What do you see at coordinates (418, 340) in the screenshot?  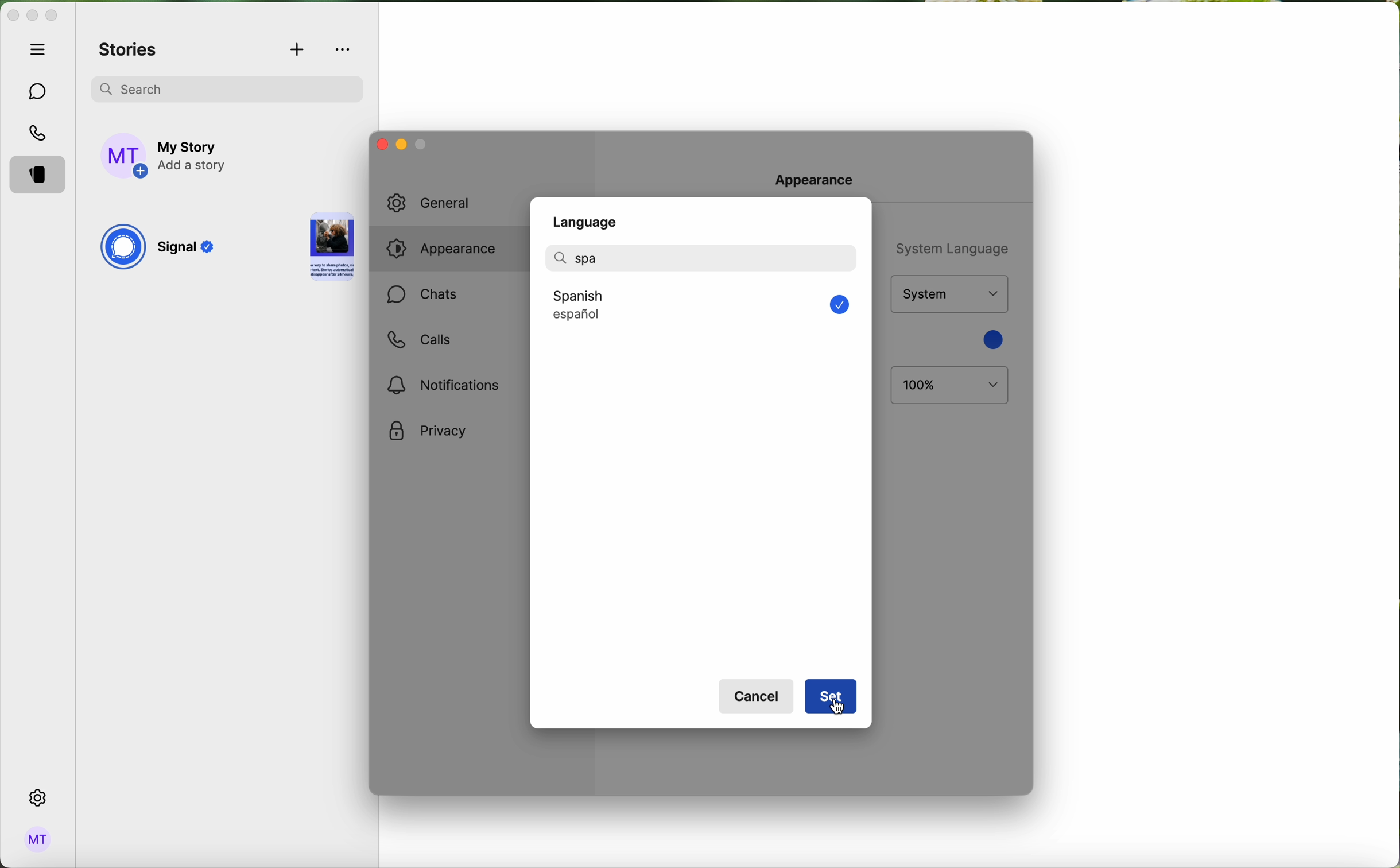 I see `calls` at bounding box center [418, 340].